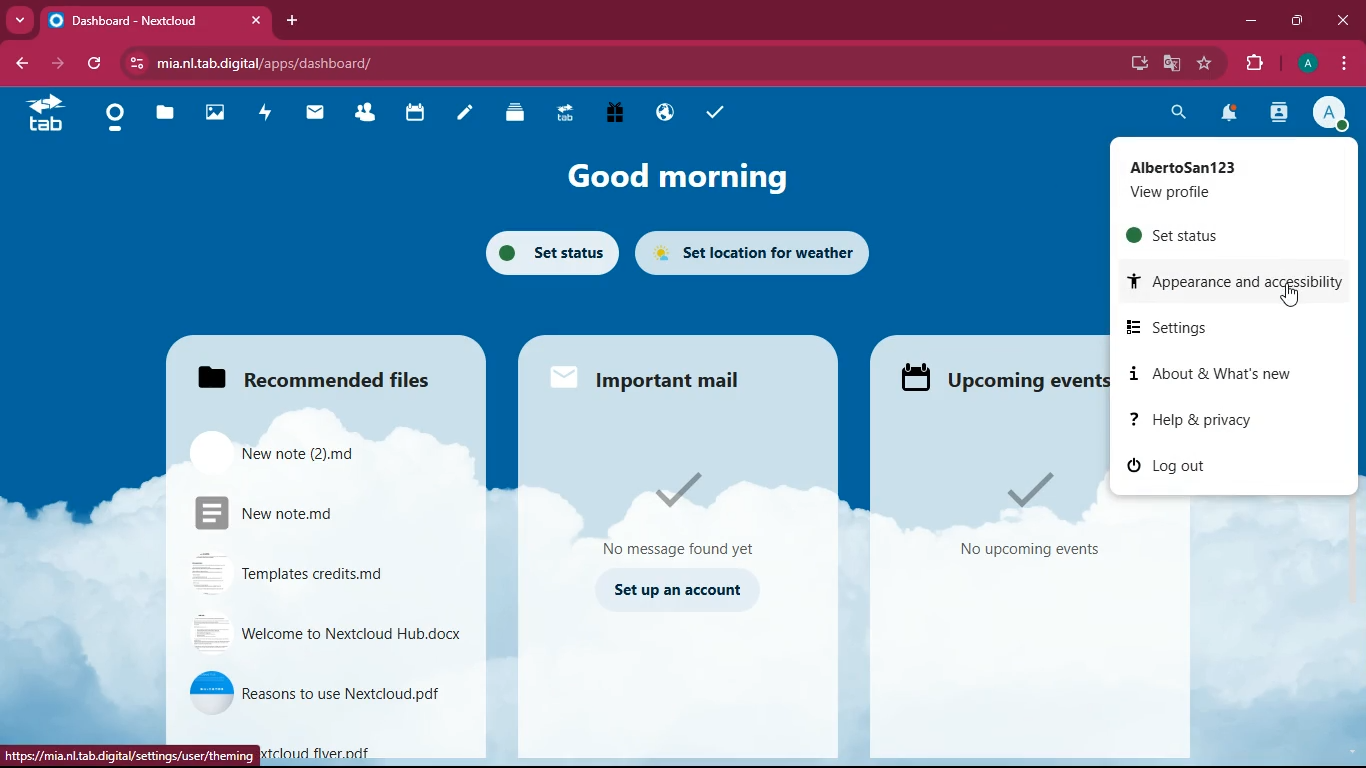 The image size is (1366, 768). I want to click on important mail, so click(648, 376).